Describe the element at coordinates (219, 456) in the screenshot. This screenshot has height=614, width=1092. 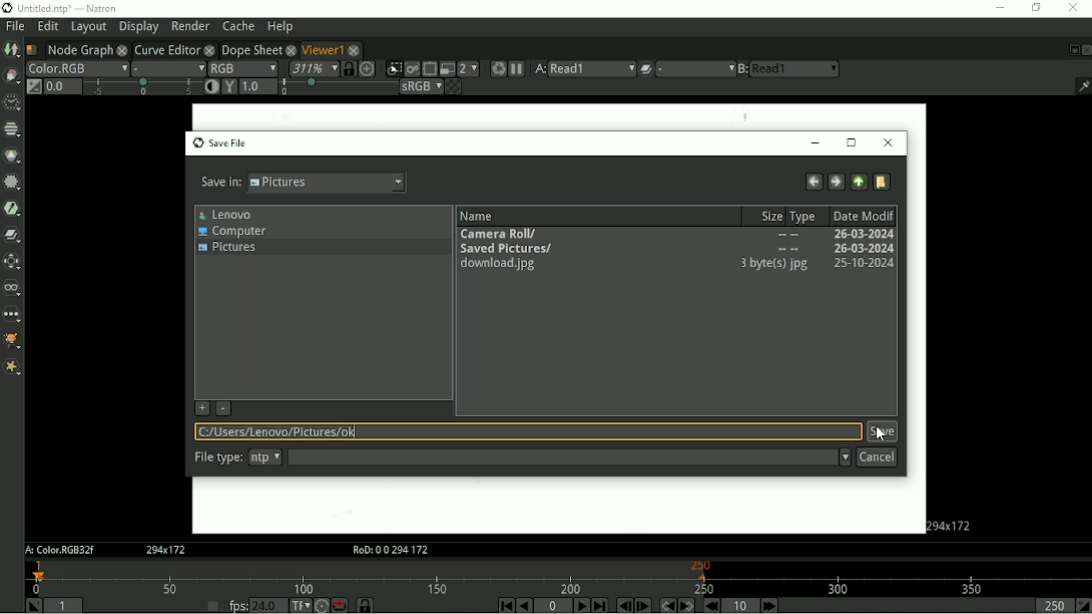
I see `file type` at that location.